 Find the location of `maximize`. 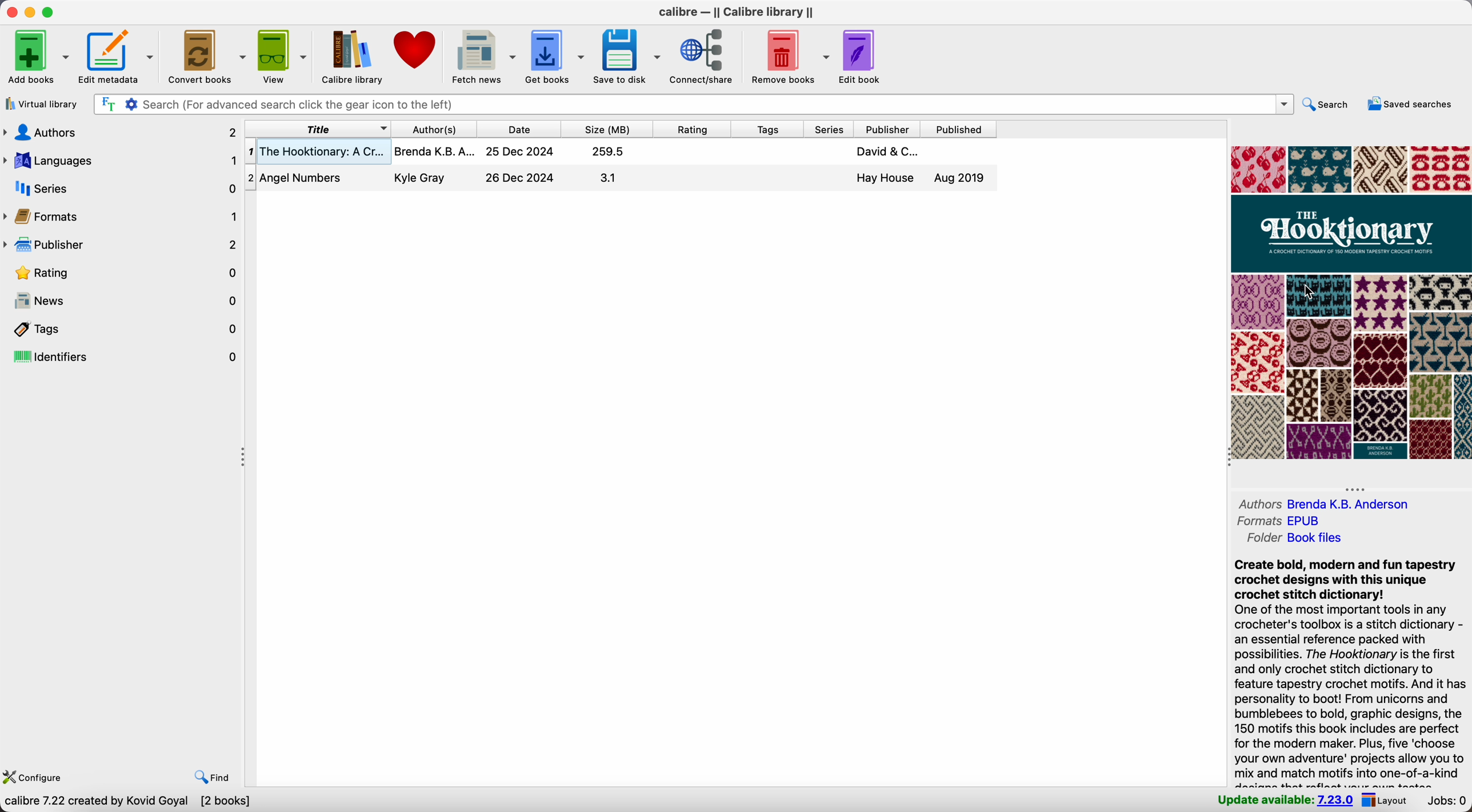

maximize is located at coordinates (49, 13).